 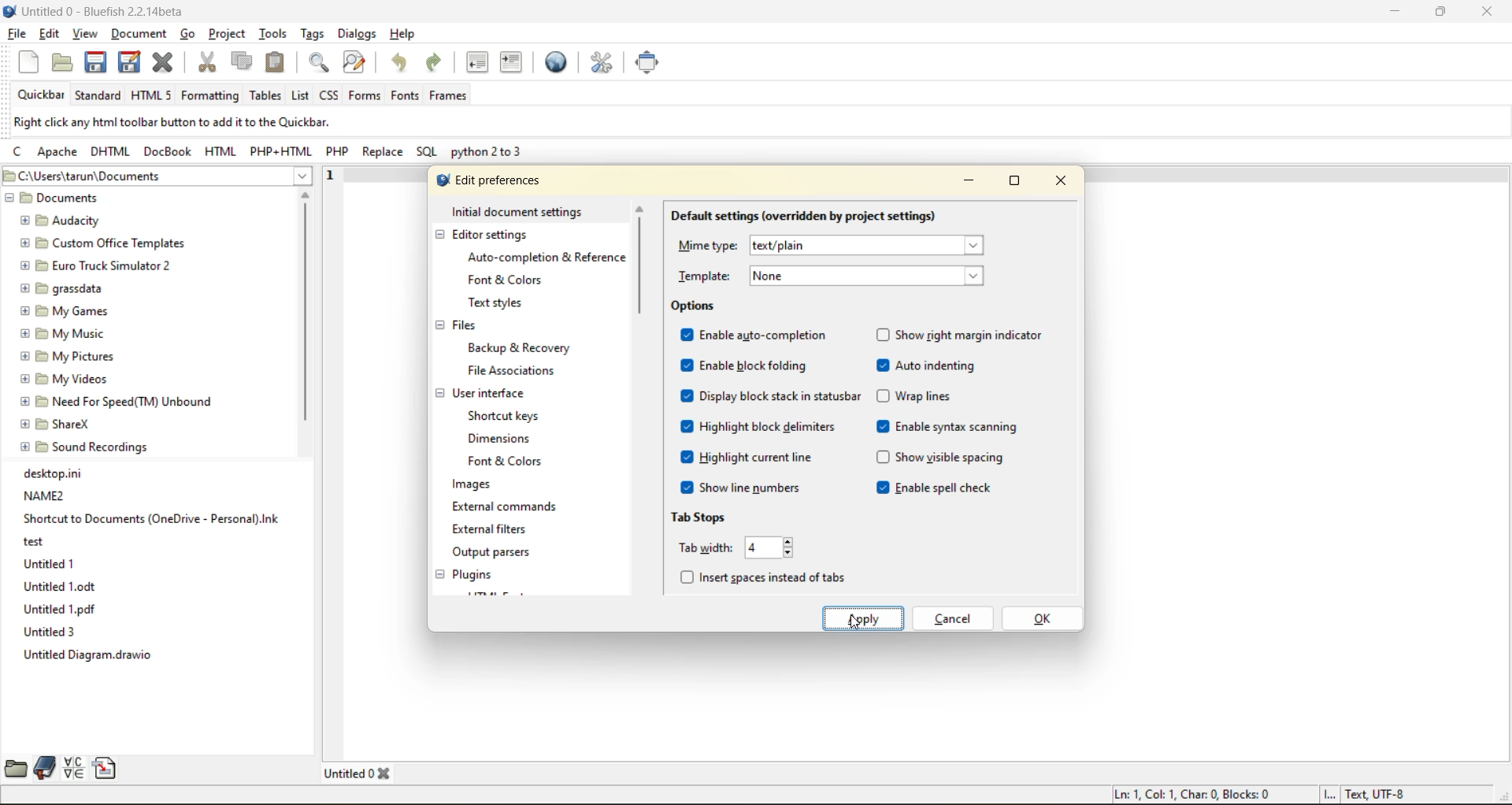 What do you see at coordinates (93, 265) in the screenshot?
I see `# [9 Euro Truck Simulator 2` at bounding box center [93, 265].